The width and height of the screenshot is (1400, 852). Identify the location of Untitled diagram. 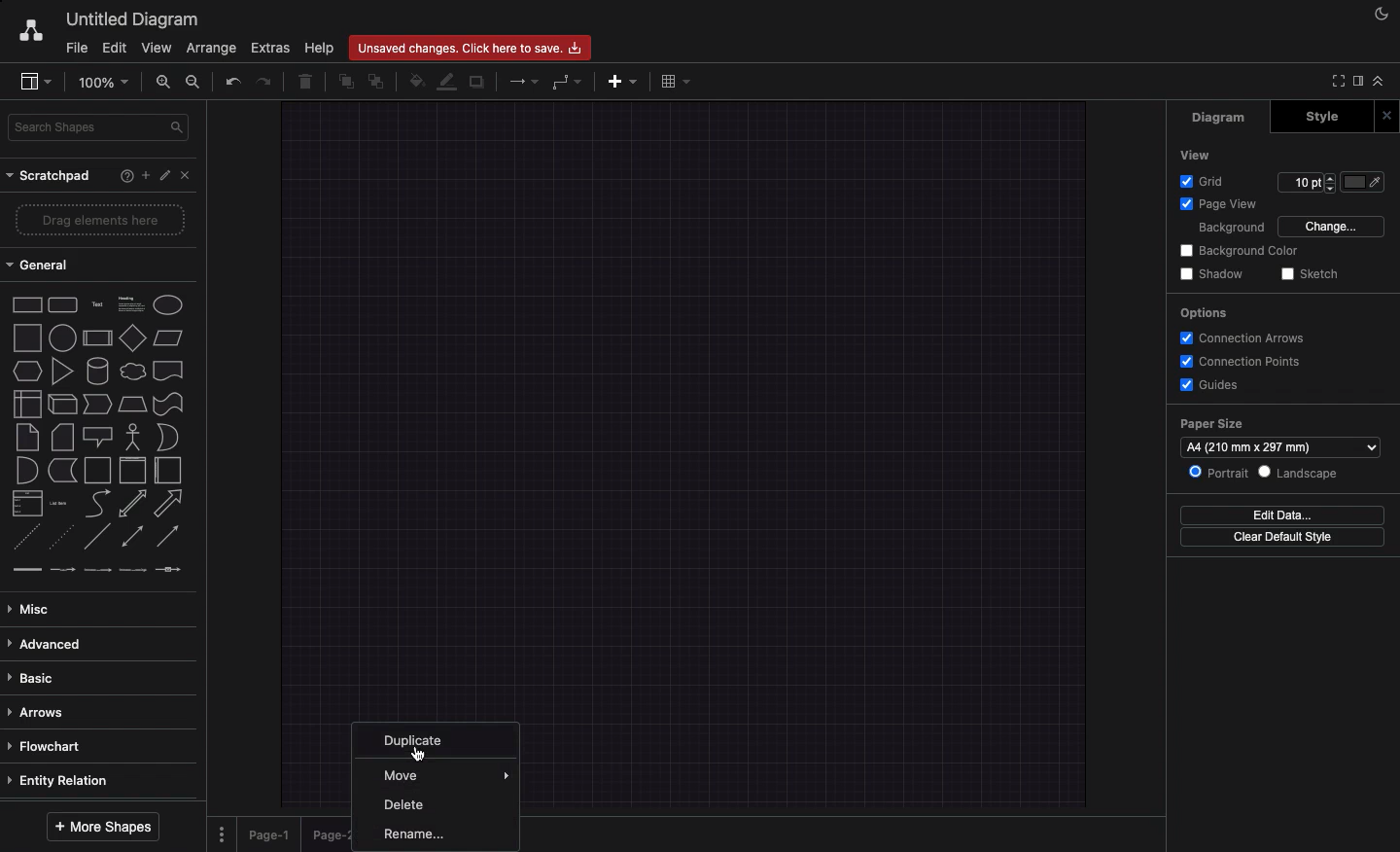
(134, 22).